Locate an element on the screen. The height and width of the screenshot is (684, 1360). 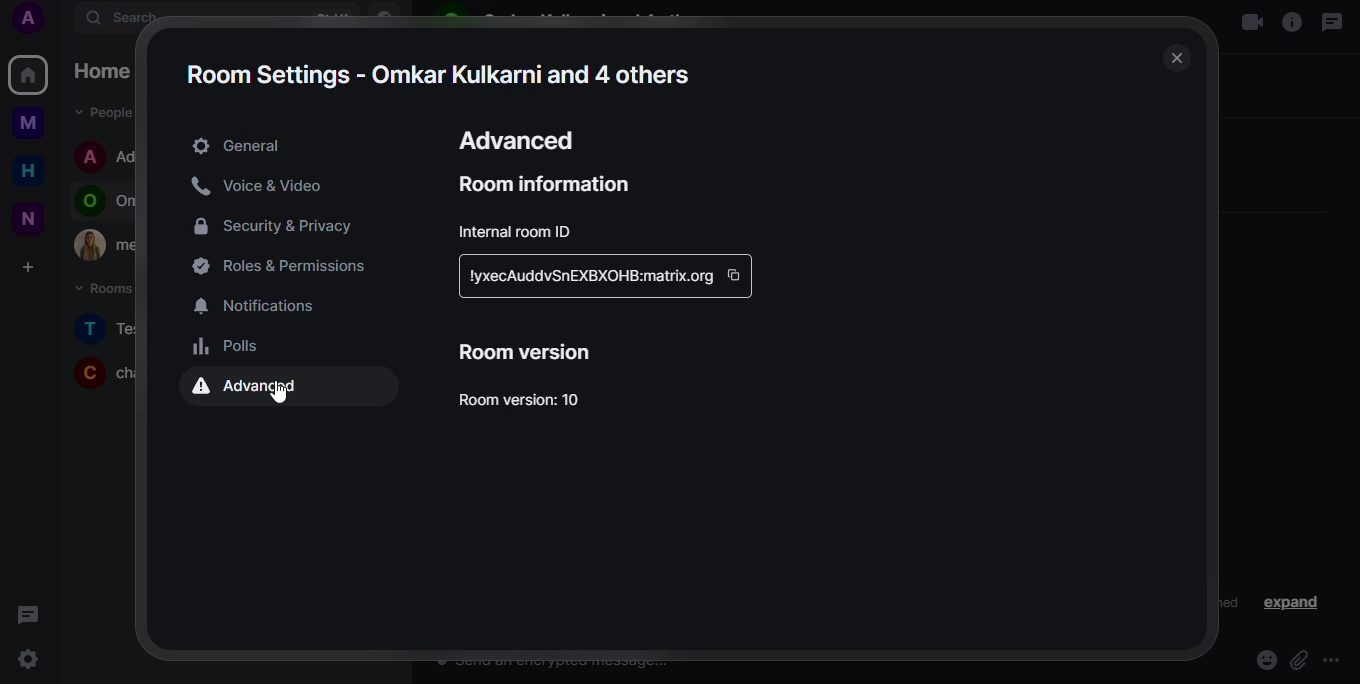
voice is located at coordinates (264, 186).